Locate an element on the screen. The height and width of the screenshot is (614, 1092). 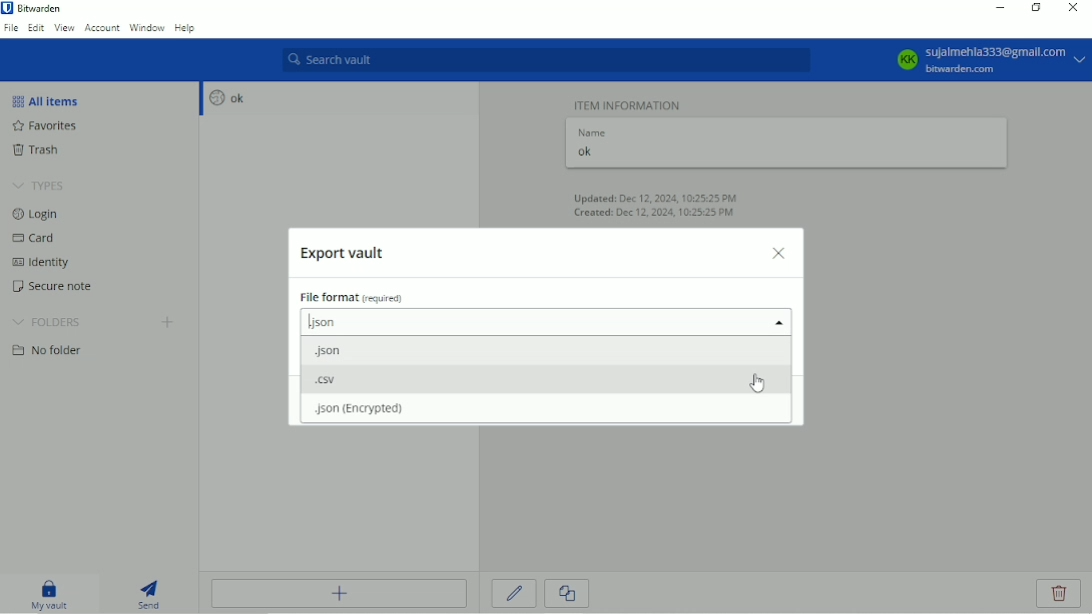
Login is located at coordinates (36, 214).